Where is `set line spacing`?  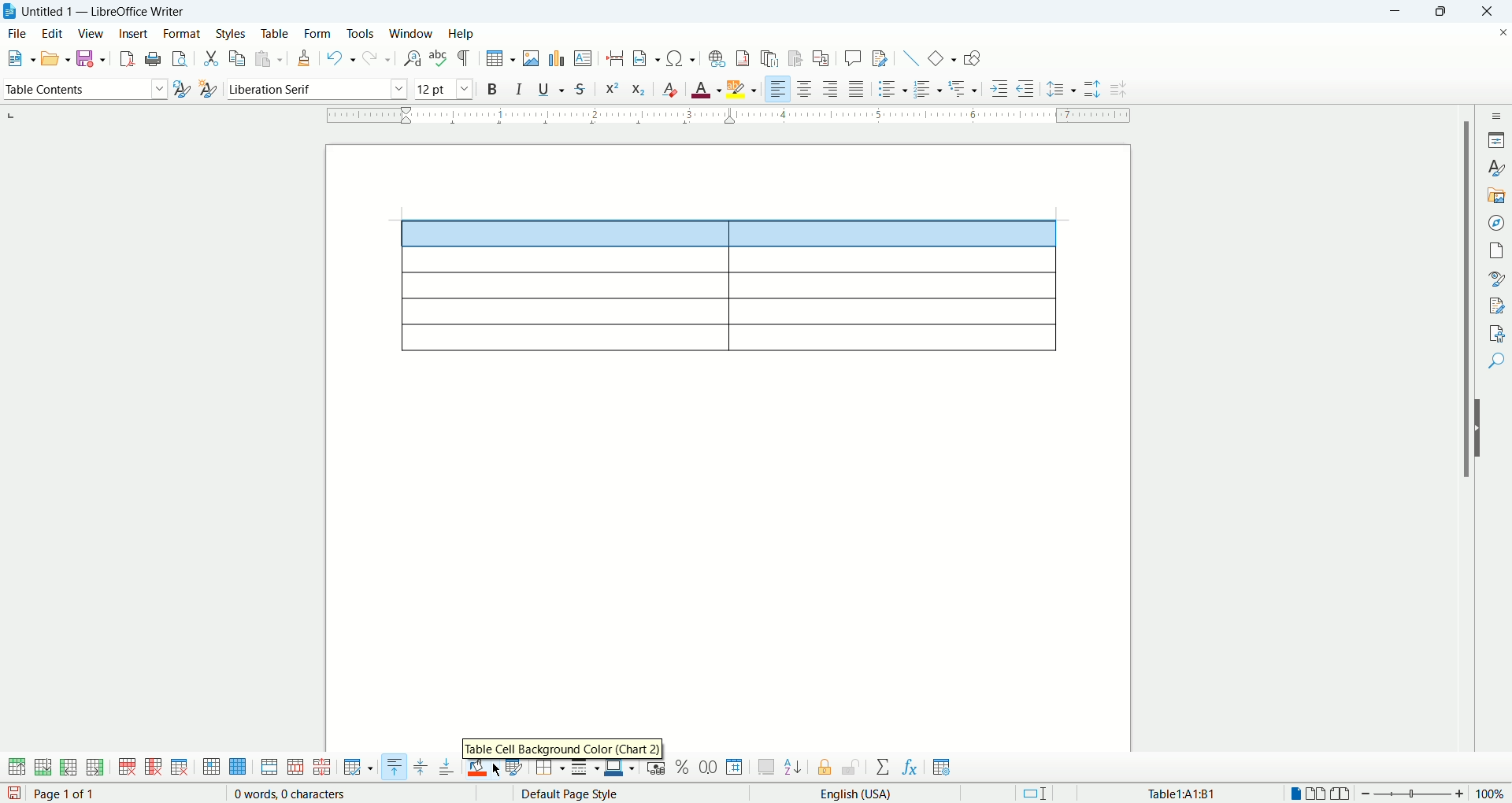
set line spacing is located at coordinates (1061, 90).